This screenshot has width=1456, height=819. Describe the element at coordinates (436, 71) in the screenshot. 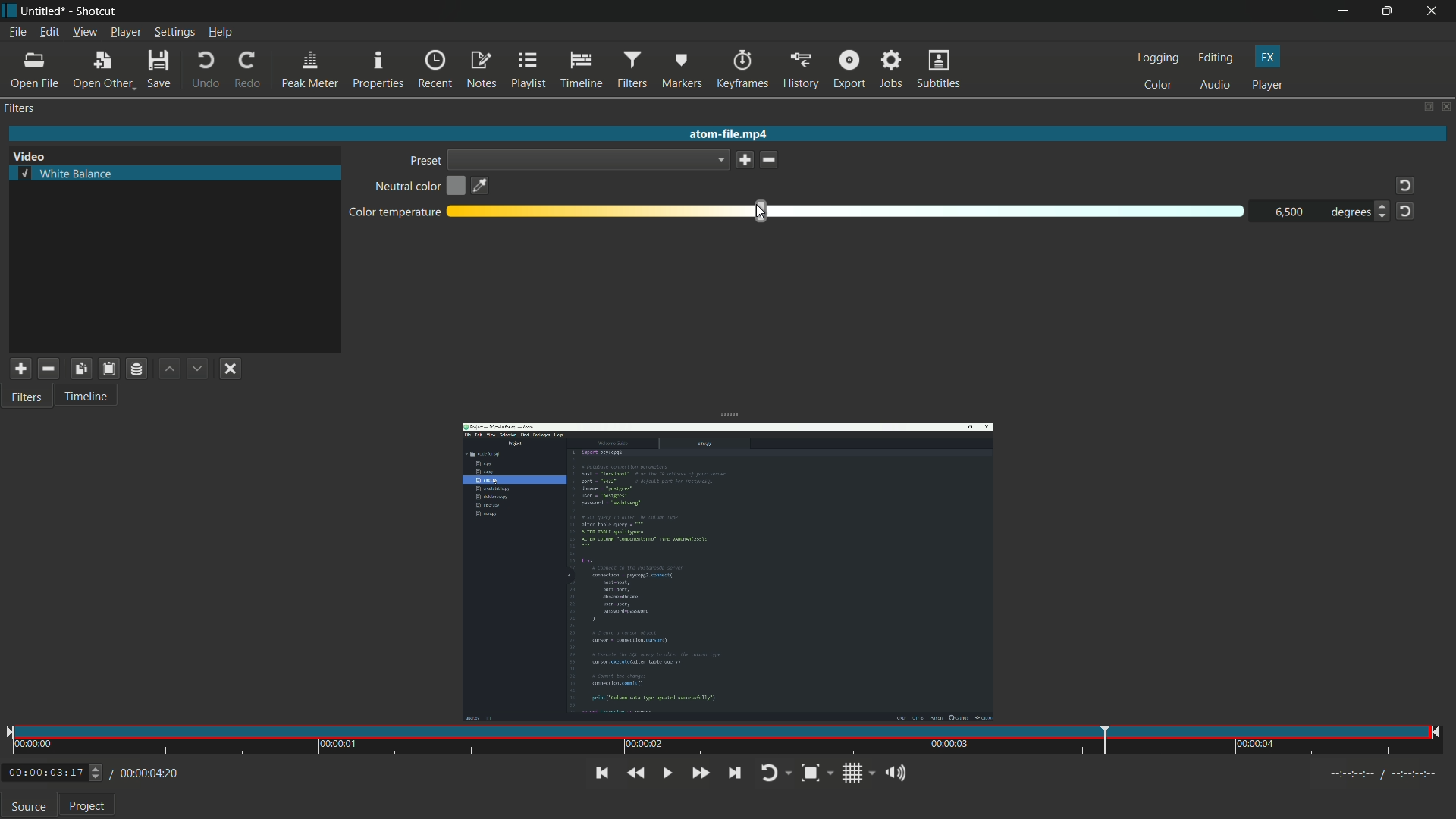

I see `recent` at that location.